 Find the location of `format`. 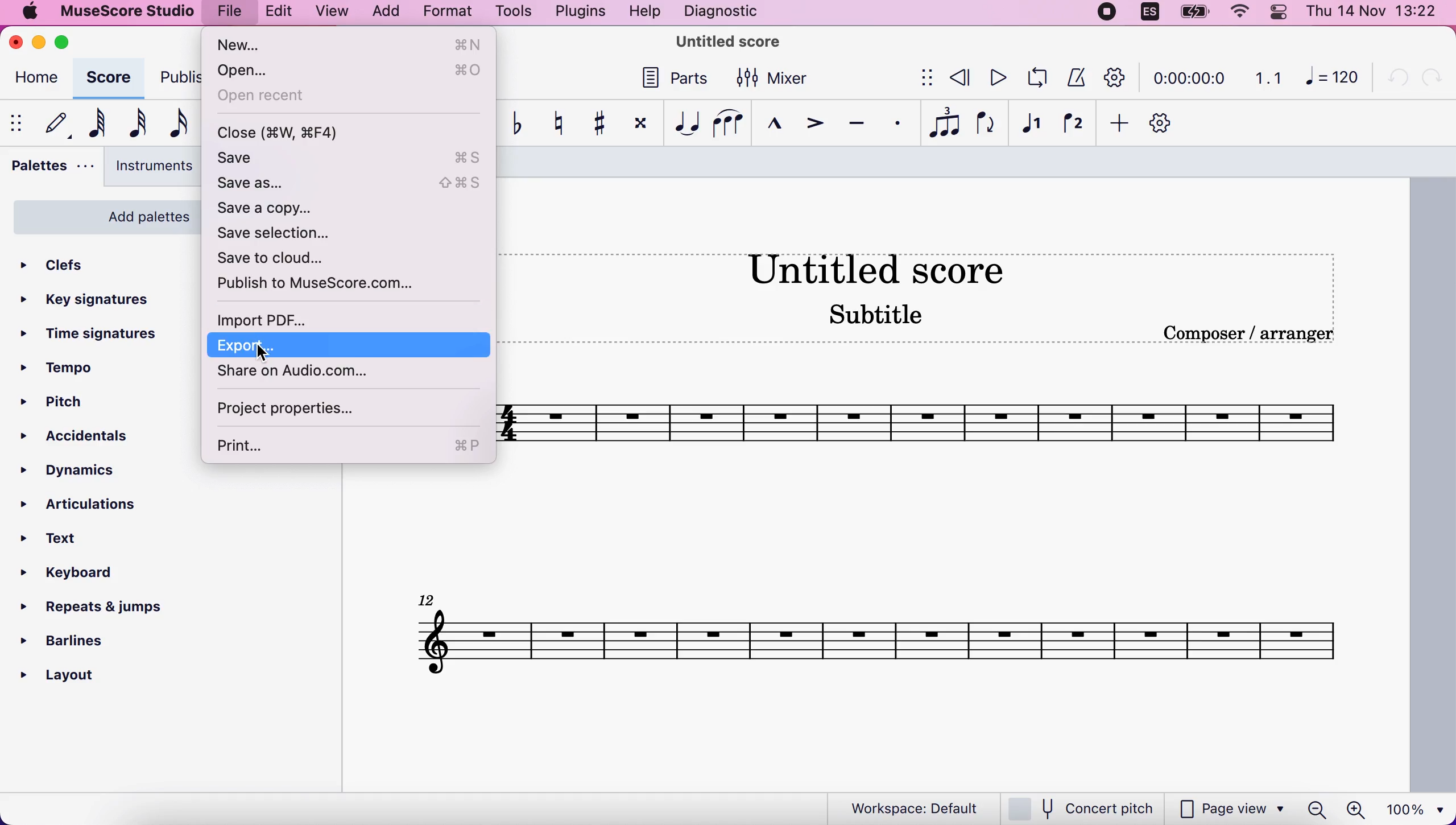

format is located at coordinates (449, 13).